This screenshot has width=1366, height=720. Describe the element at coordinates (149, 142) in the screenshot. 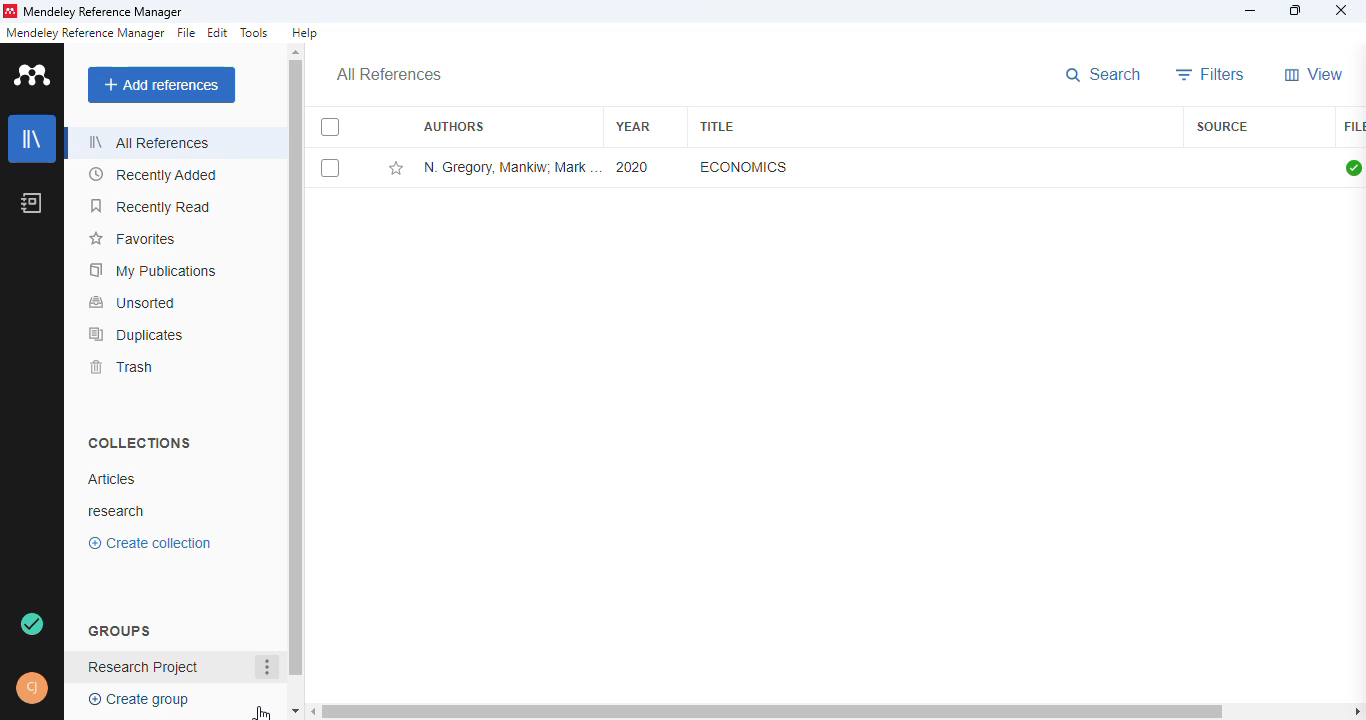

I see `all references` at that location.